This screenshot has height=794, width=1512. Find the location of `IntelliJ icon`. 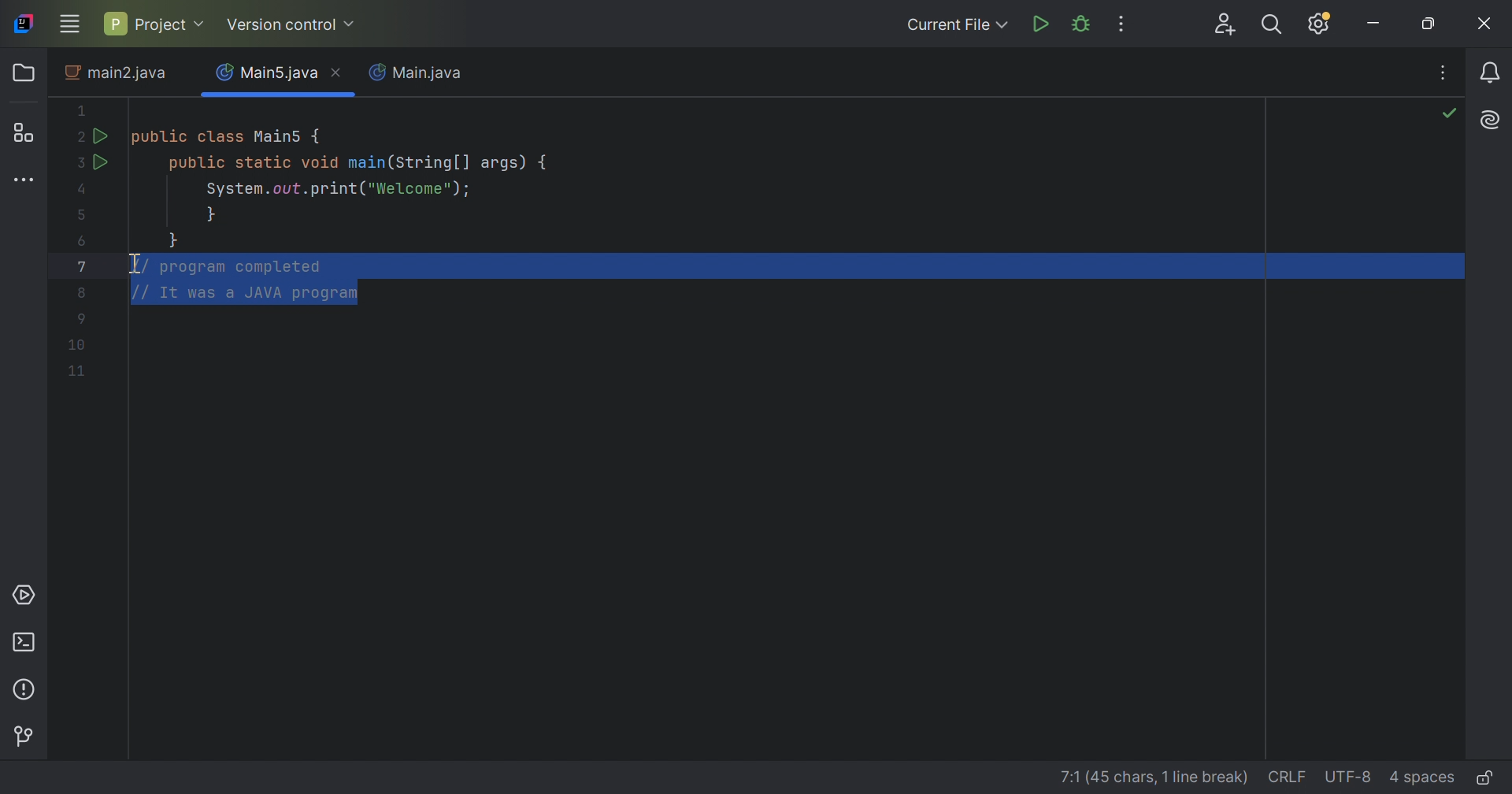

IntelliJ icon is located at coordinates (24, 24).